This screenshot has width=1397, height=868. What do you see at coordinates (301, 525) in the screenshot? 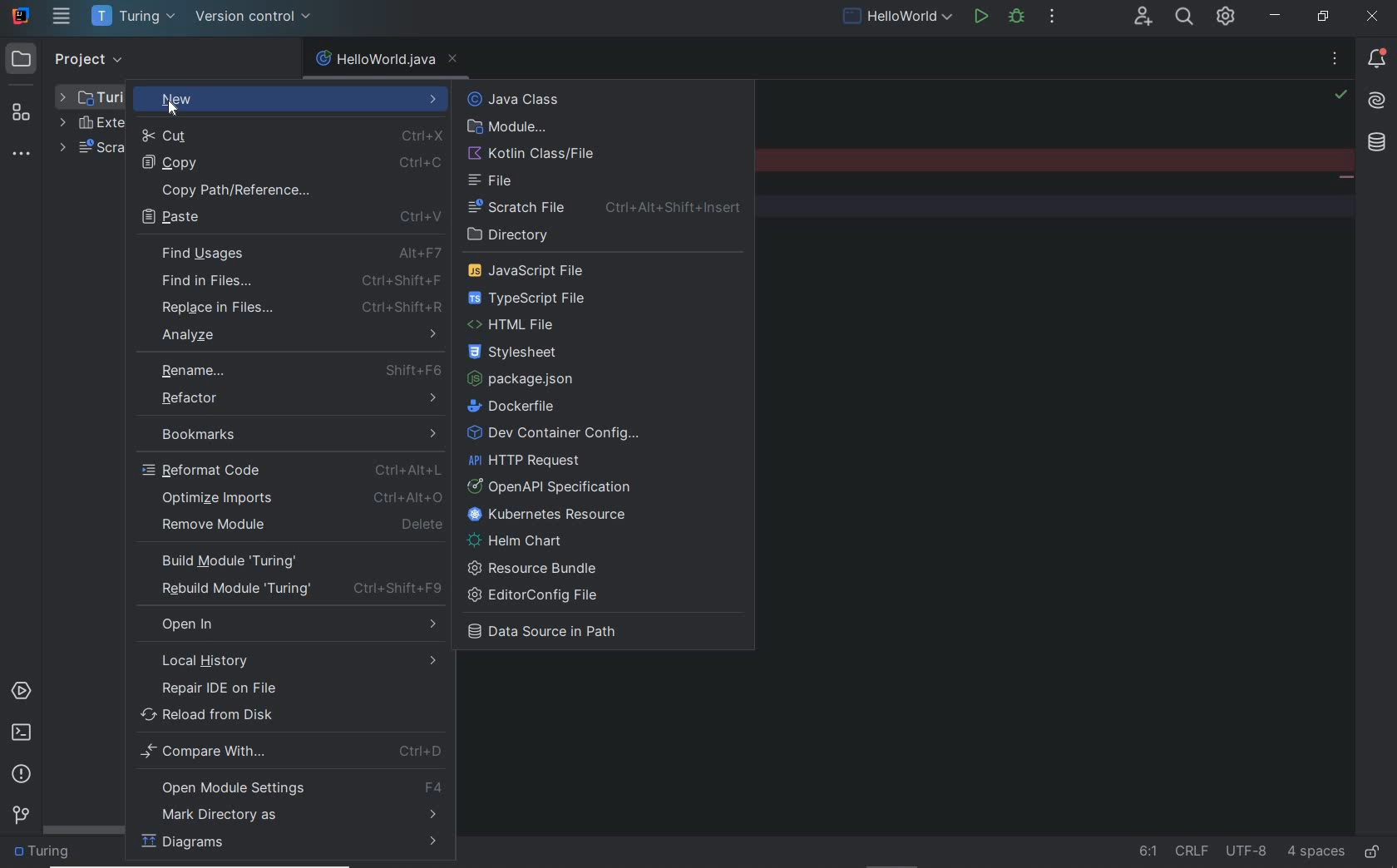
I see `remove module` at bounding box center [301, 525].